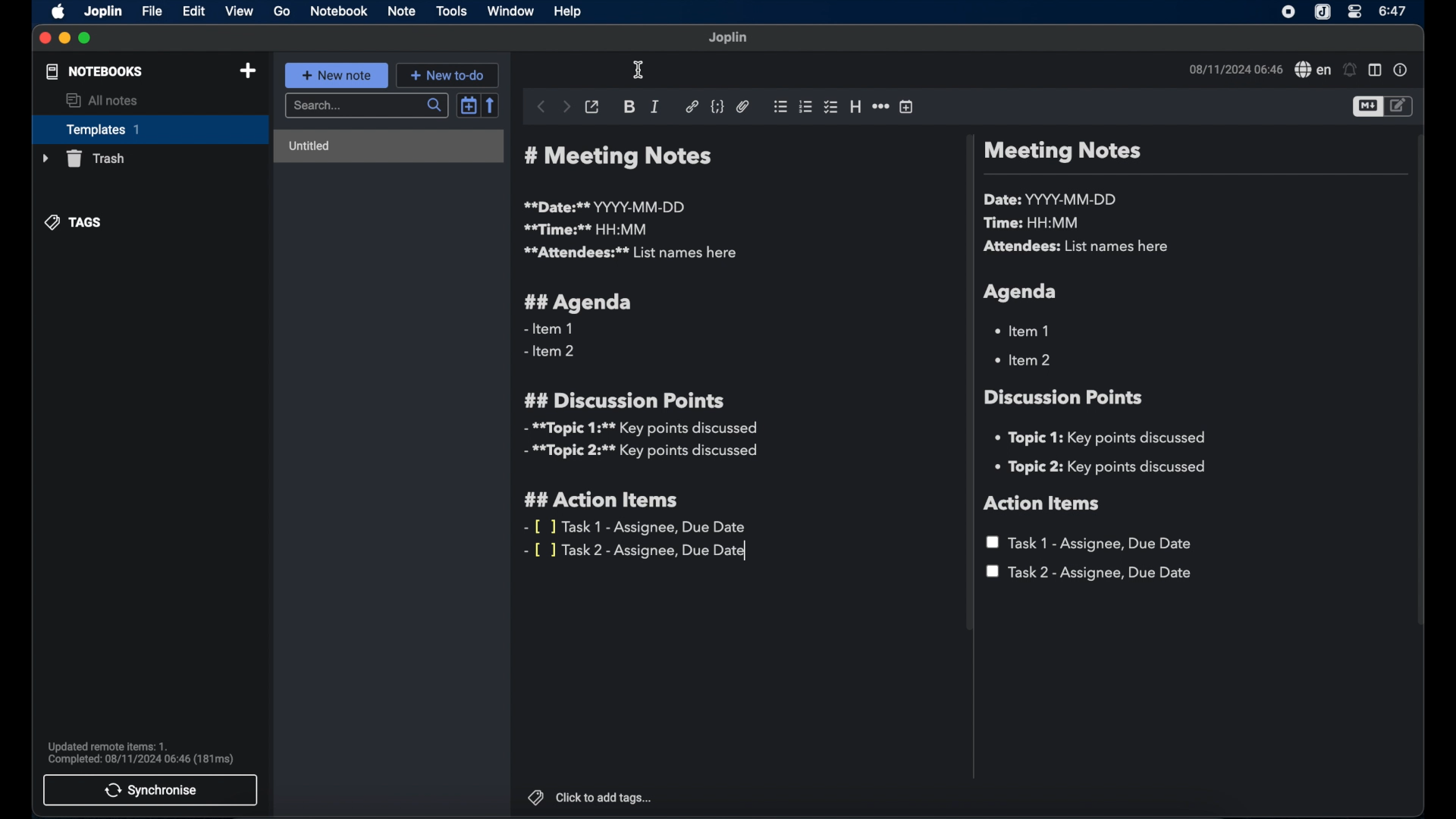 Image resolution: width=1456 pixels, height=819 pixels. What do you see at coordinates (240, 11) in the screenshot?
I see `view` at bounding box center [240, 11].